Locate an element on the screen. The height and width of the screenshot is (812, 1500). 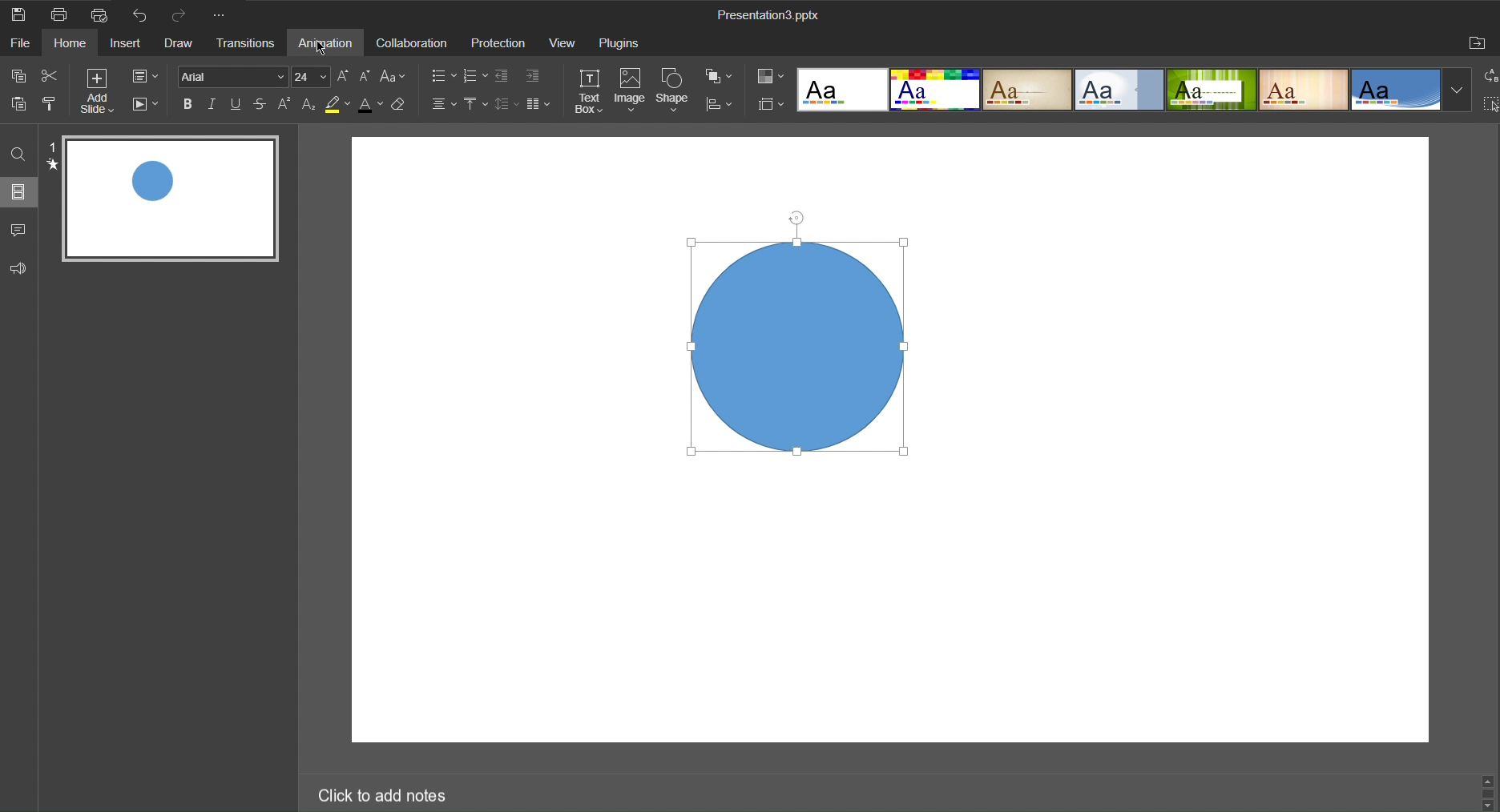
Font Size is located at coordinates (367, 77).